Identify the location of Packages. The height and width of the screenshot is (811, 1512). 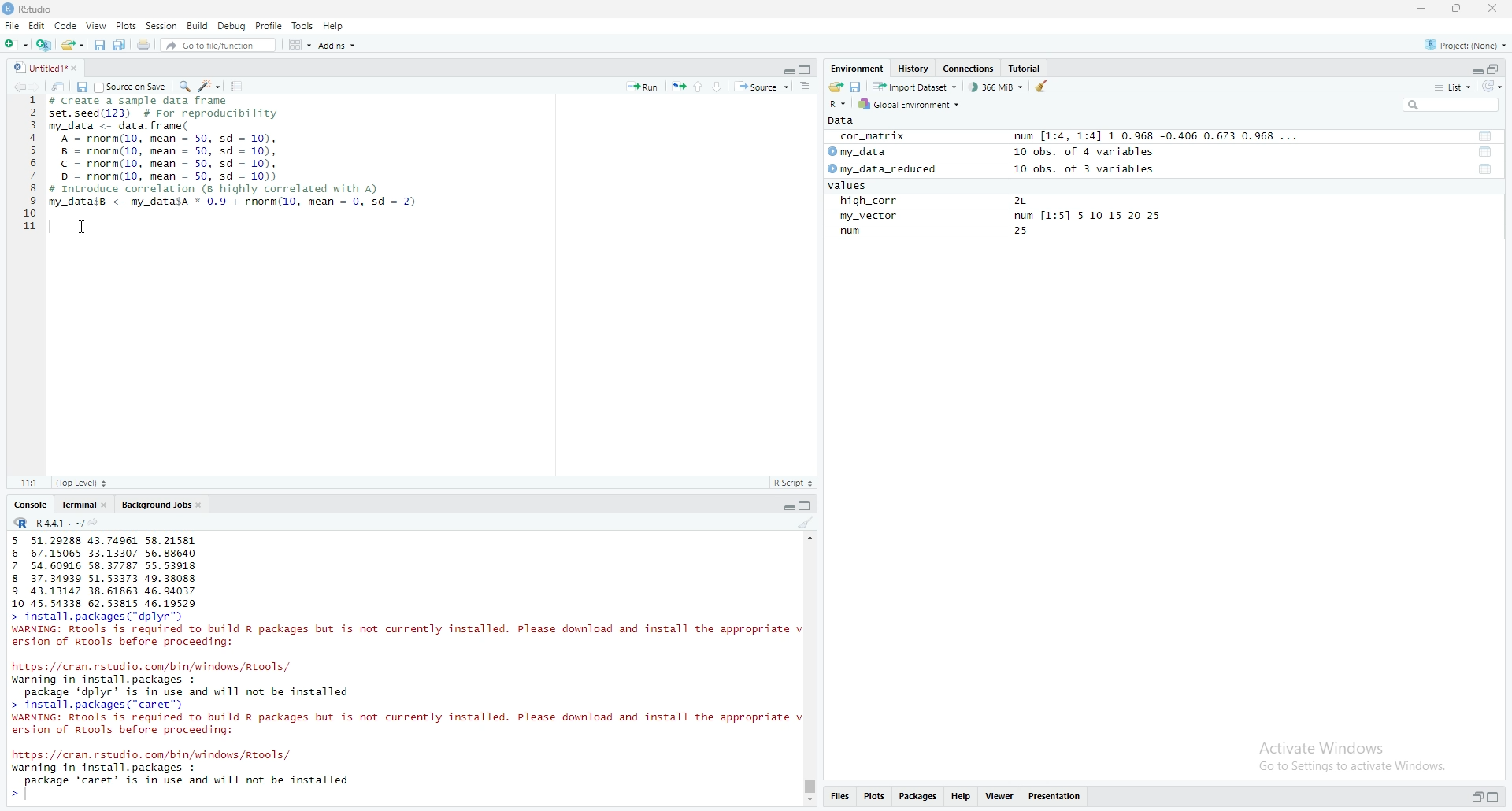
(917, 797).